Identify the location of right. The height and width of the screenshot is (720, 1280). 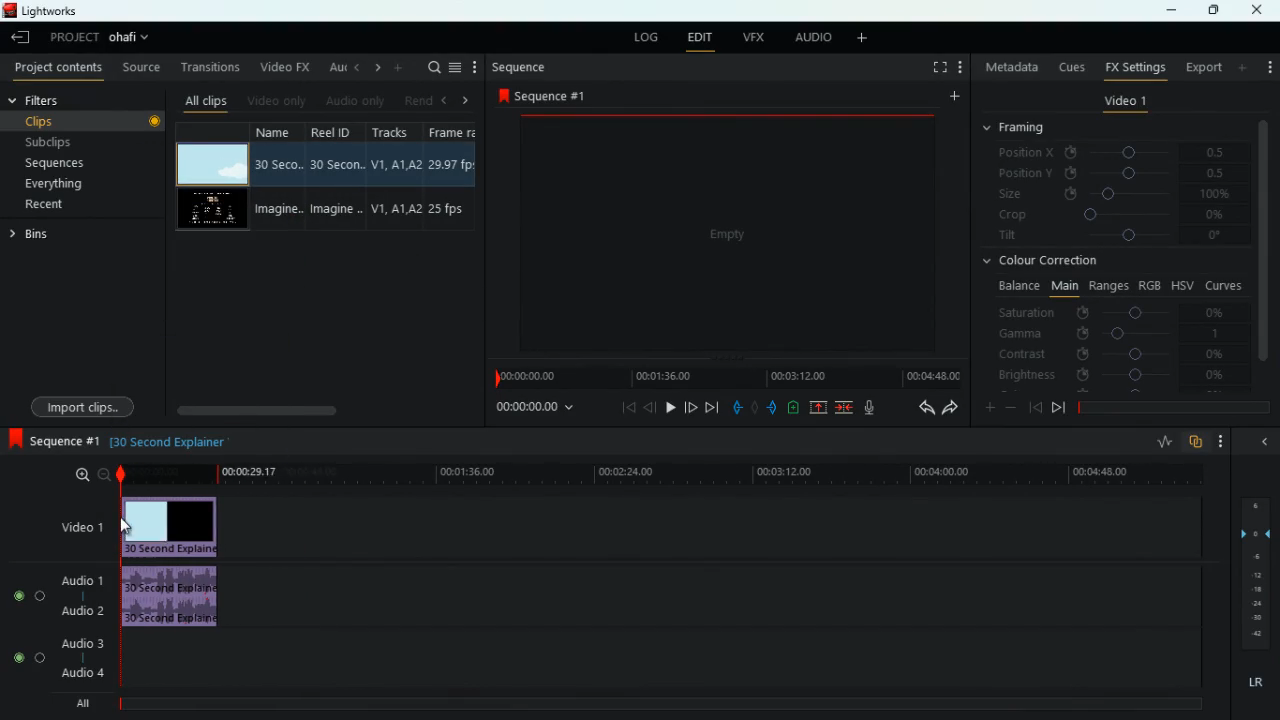
(374, 69).